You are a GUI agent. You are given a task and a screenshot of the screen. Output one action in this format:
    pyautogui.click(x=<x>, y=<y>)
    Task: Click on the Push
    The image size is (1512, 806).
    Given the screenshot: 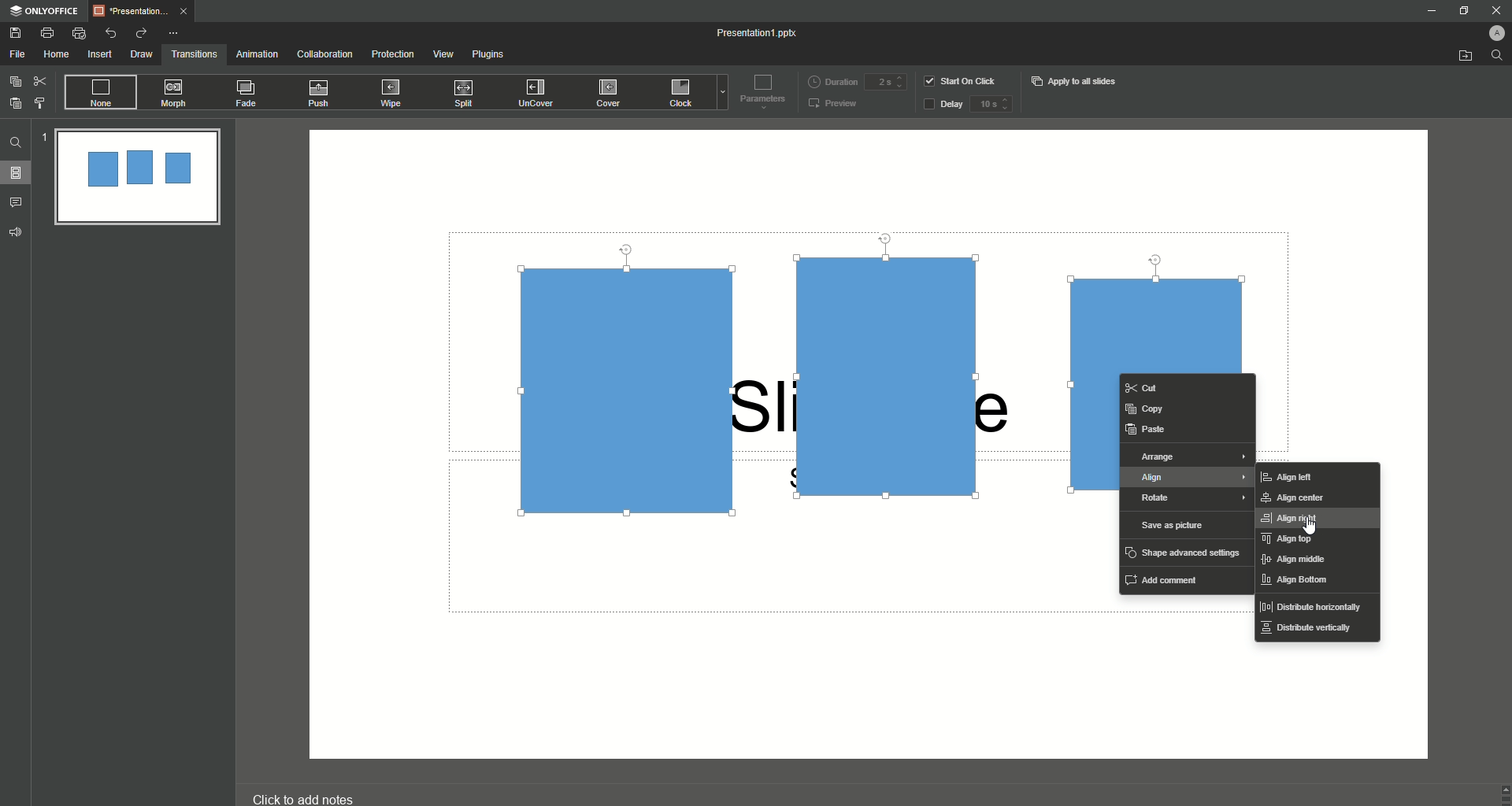 What is the action you would take?
    pyautogui.click(x=321, y=94)
    